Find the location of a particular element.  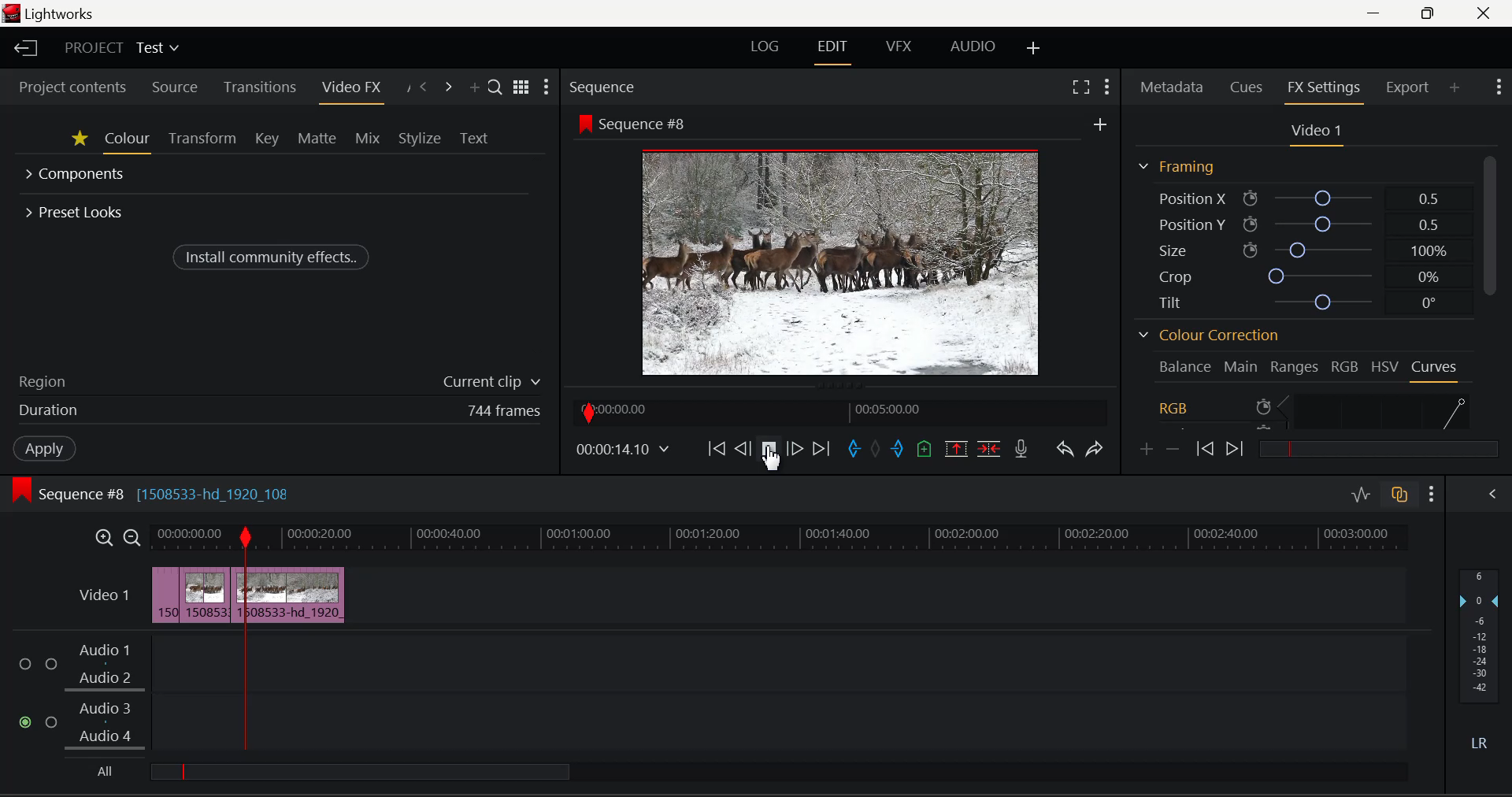

EDIT Layout Open is located at coordinates (835, 48).